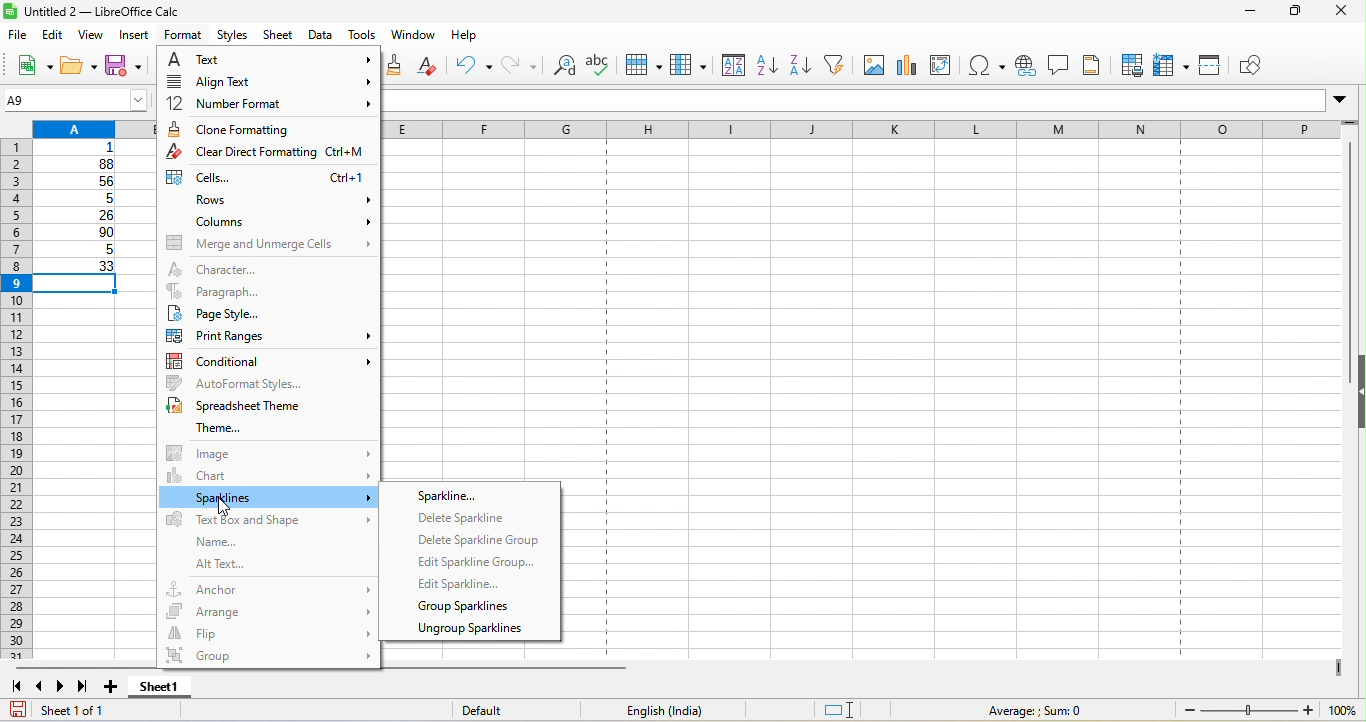 The width and height of the screenshot is (1366, 722). Describe the element at coordinates (269, 475) in the screenshot. I see `chart` at that location.